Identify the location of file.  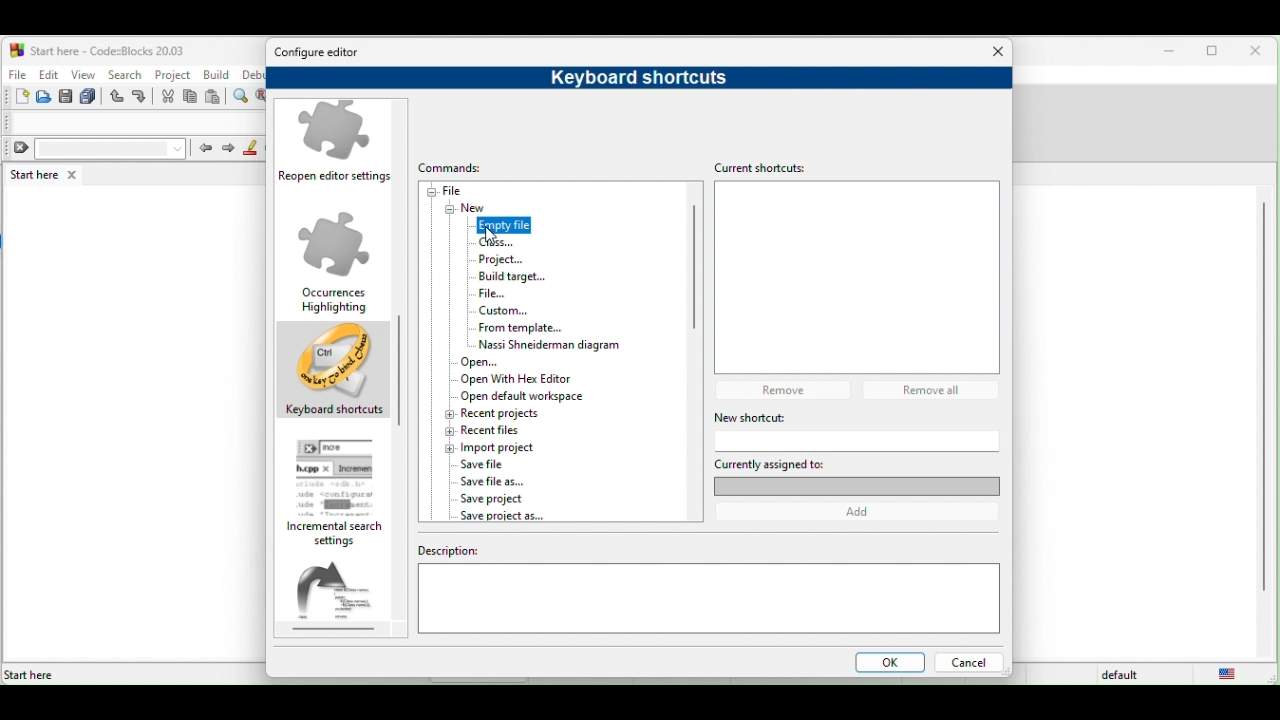
(456, 191).